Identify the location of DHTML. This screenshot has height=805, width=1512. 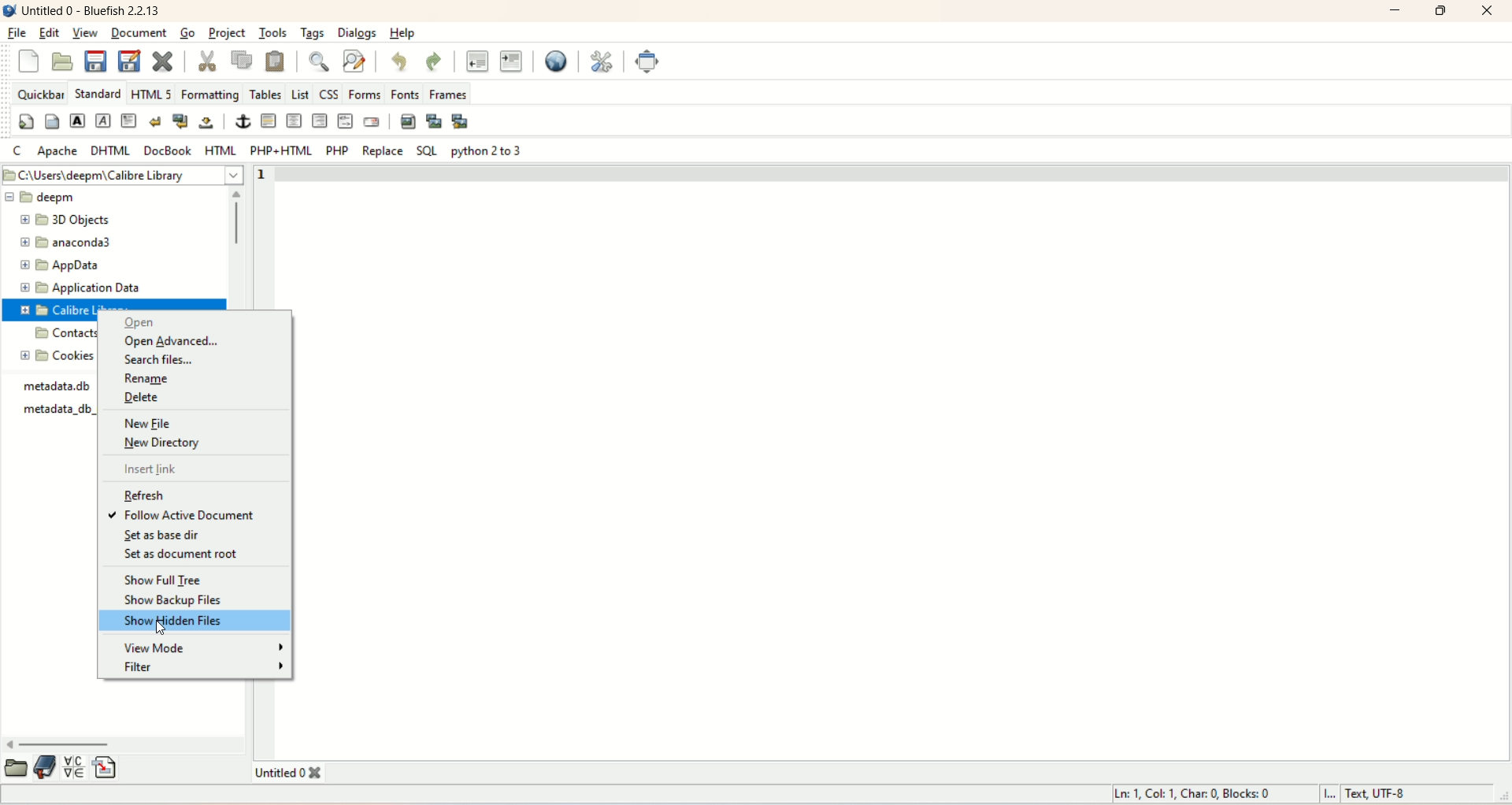
(108, 150).